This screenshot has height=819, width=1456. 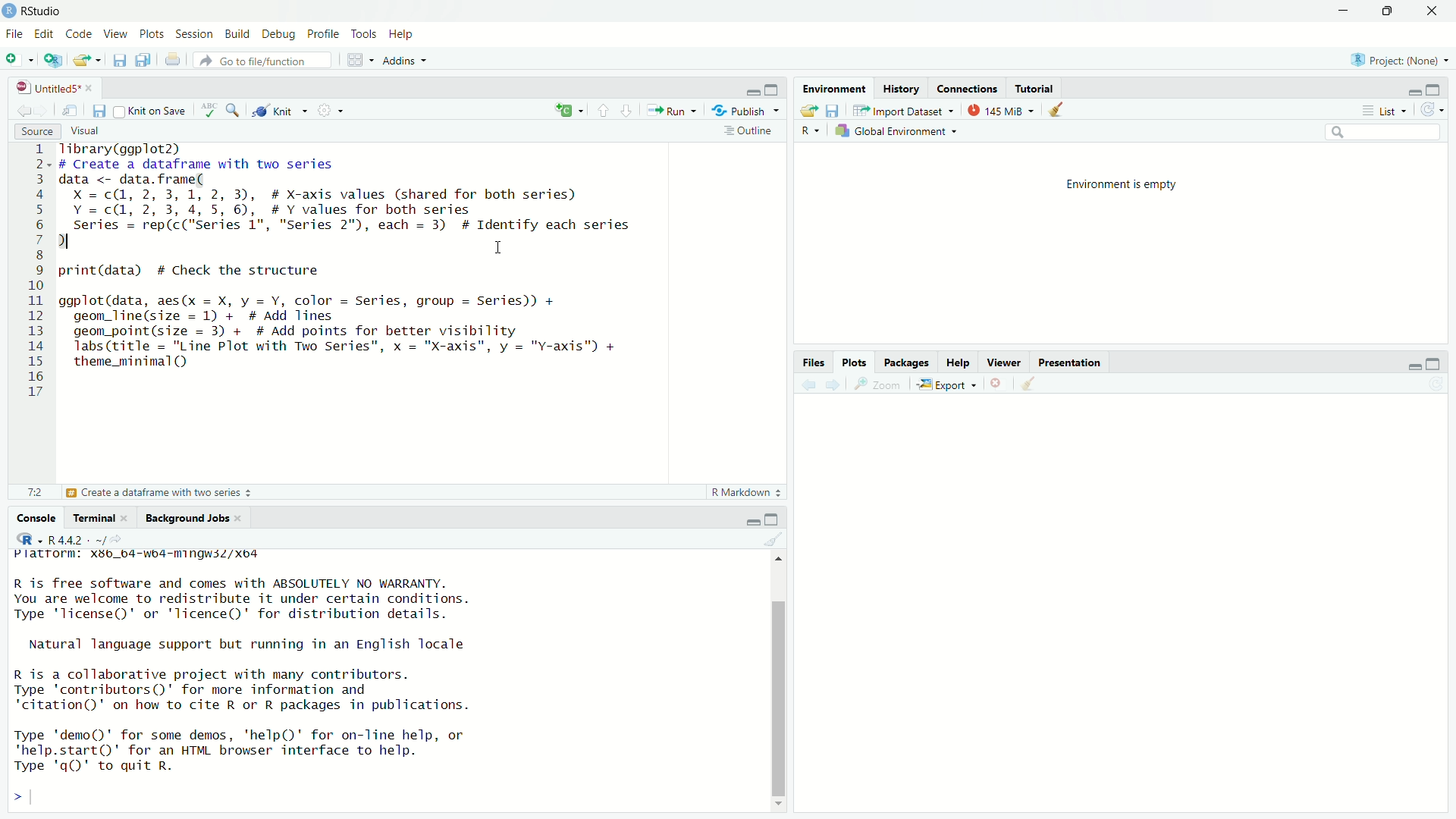 I want to click on Go forward to the next source selection, so click(x=833, y=384).